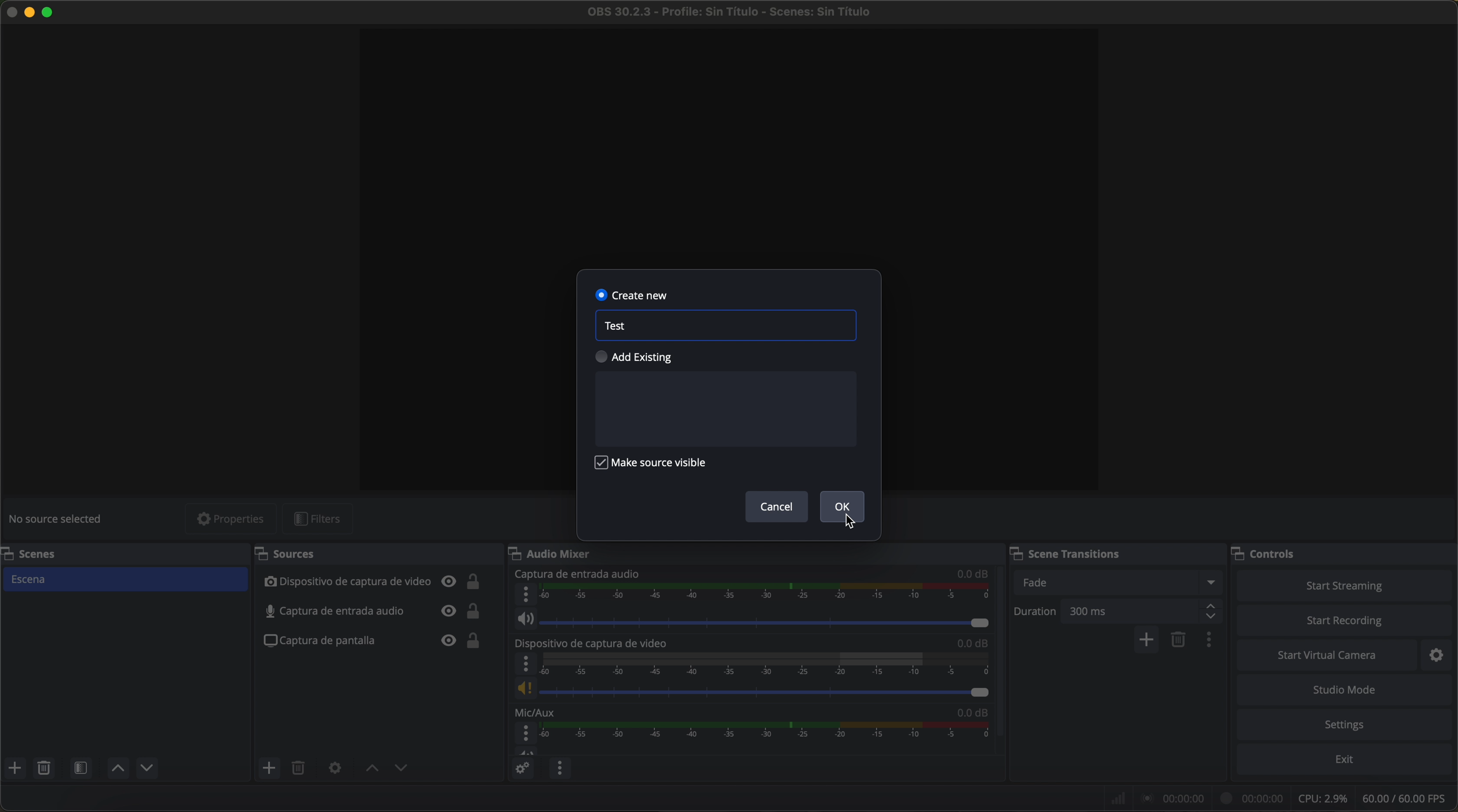  Describe the element at coordinates (766, 664) in the screenshot. I see `timeline` at that location.